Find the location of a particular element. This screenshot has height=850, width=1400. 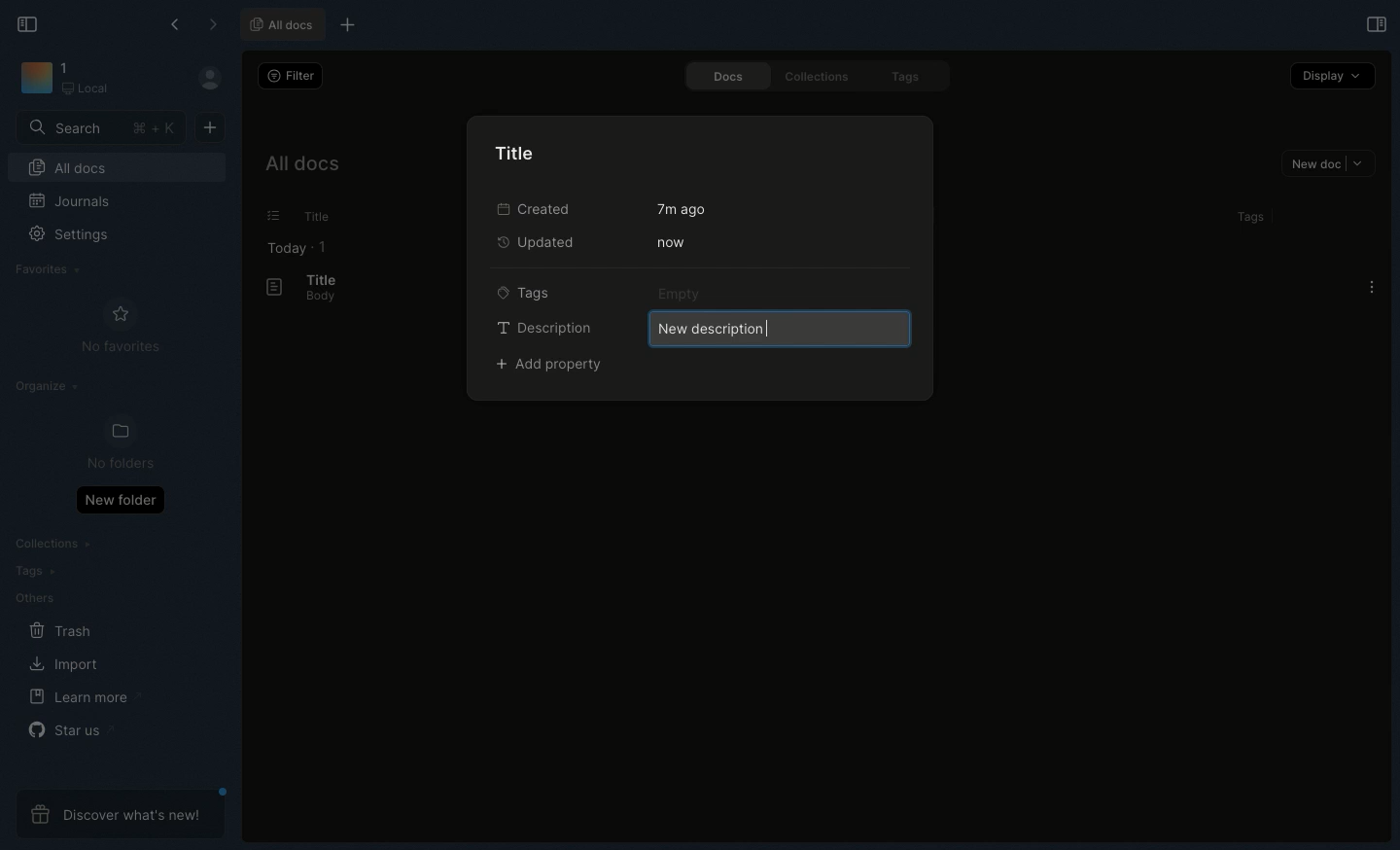

Title is located at coordinates (319, 279).